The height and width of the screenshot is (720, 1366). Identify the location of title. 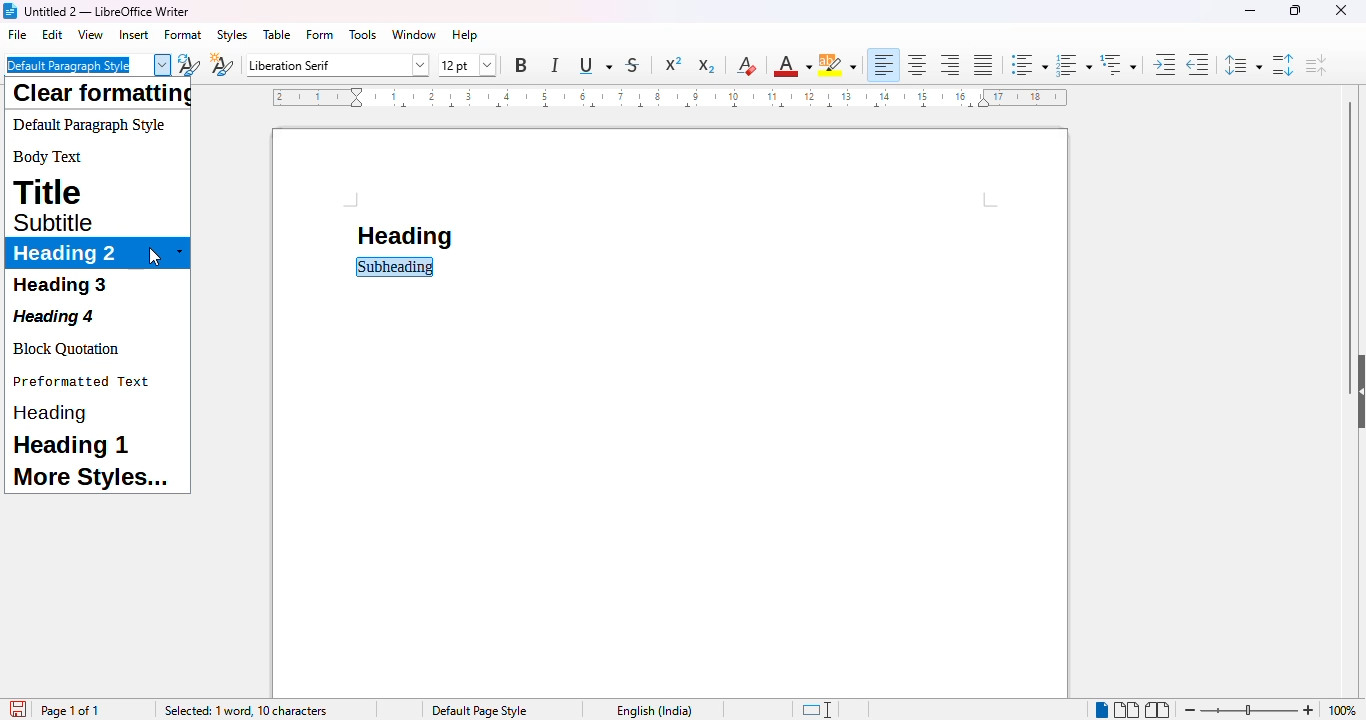
(107, 11).